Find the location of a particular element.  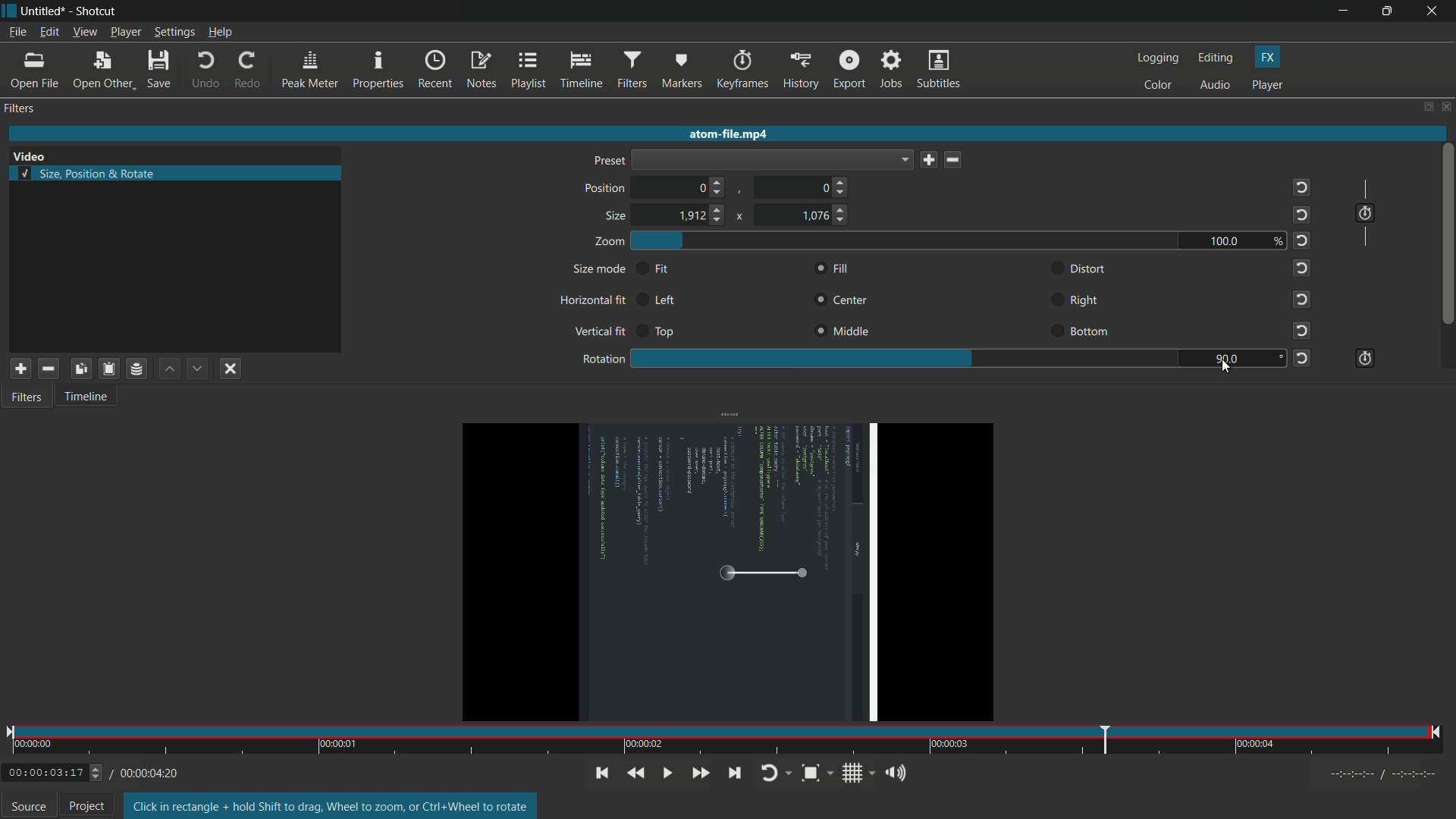

size mode is located at coordinates (598, 270).